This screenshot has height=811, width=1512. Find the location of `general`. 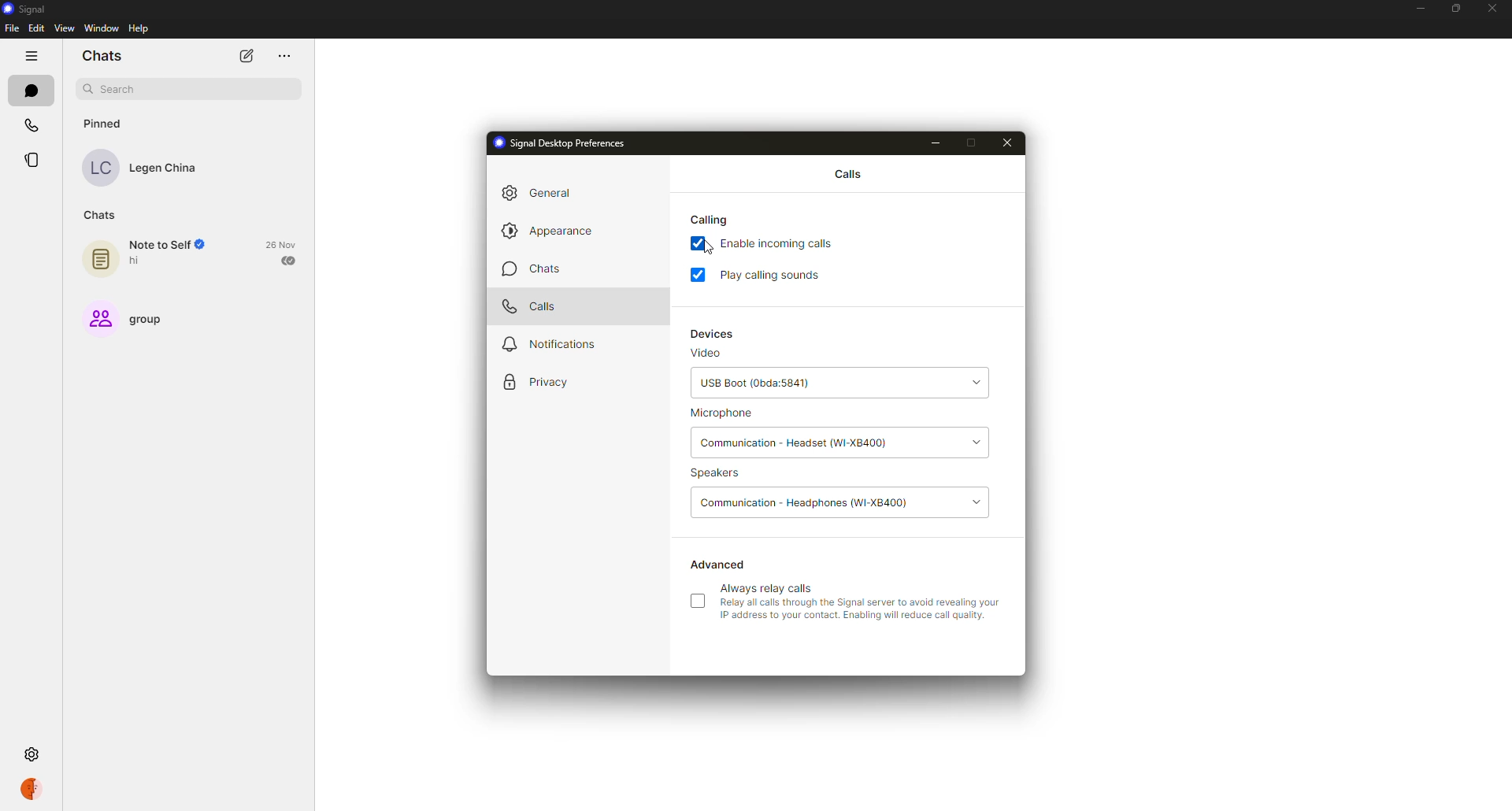

general is located at coordinates (547, 194).